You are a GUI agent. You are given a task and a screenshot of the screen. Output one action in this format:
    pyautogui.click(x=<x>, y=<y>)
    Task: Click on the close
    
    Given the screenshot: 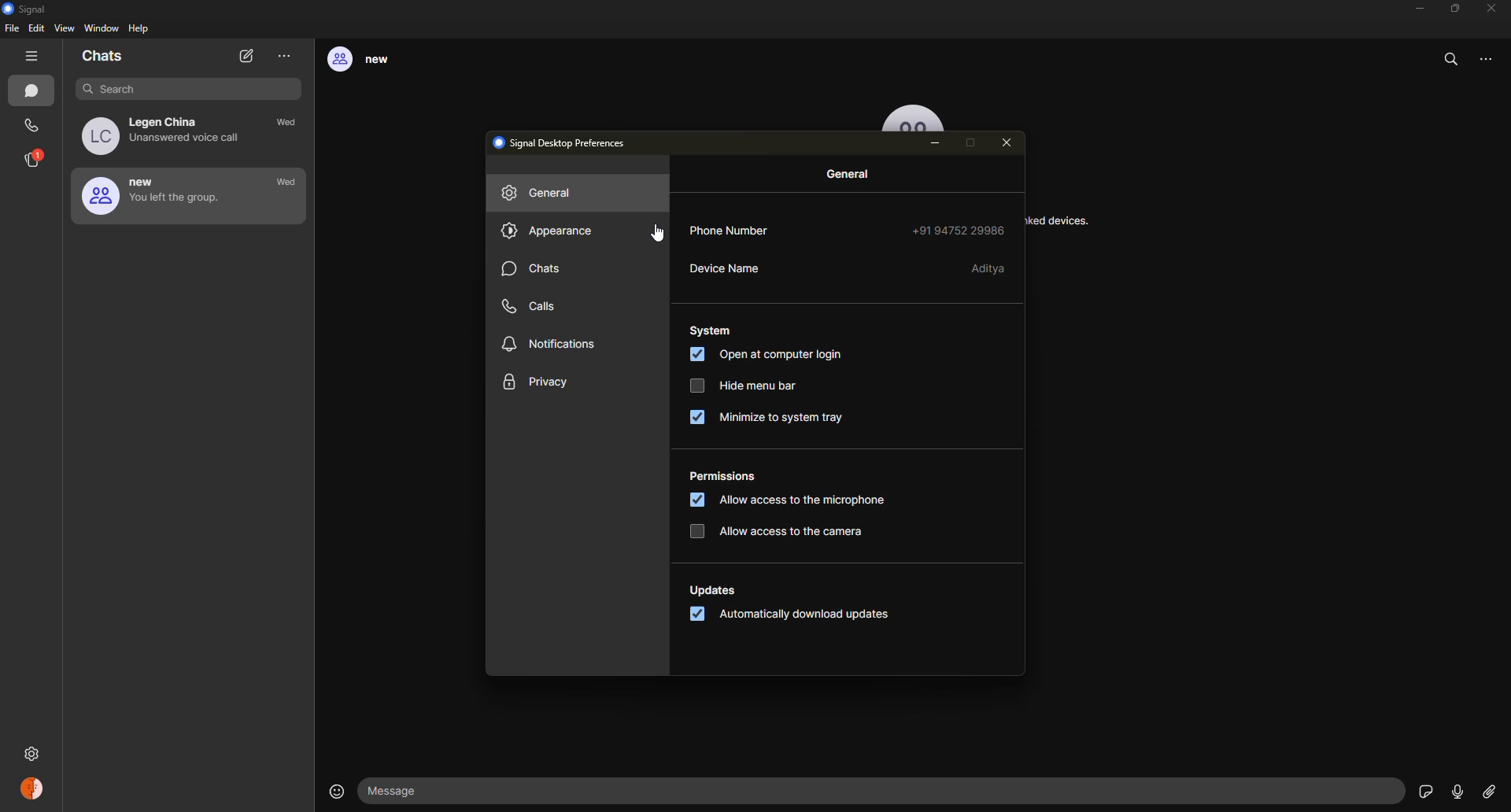 What is the action you would take?
    pyautogui.click(x=1010, y=143)
    